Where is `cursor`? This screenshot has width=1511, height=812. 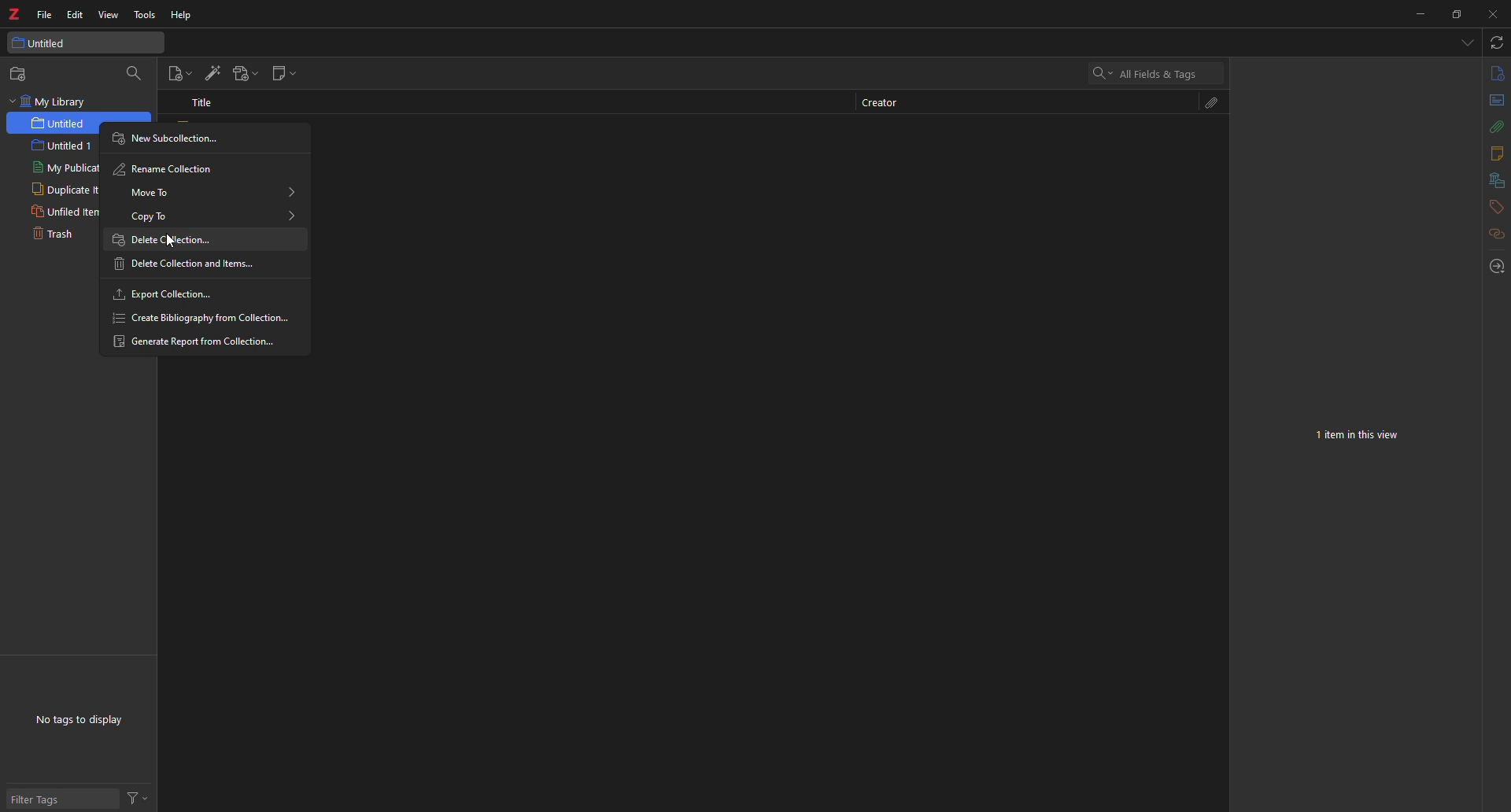
cursor is located at coordinates (169, 242).